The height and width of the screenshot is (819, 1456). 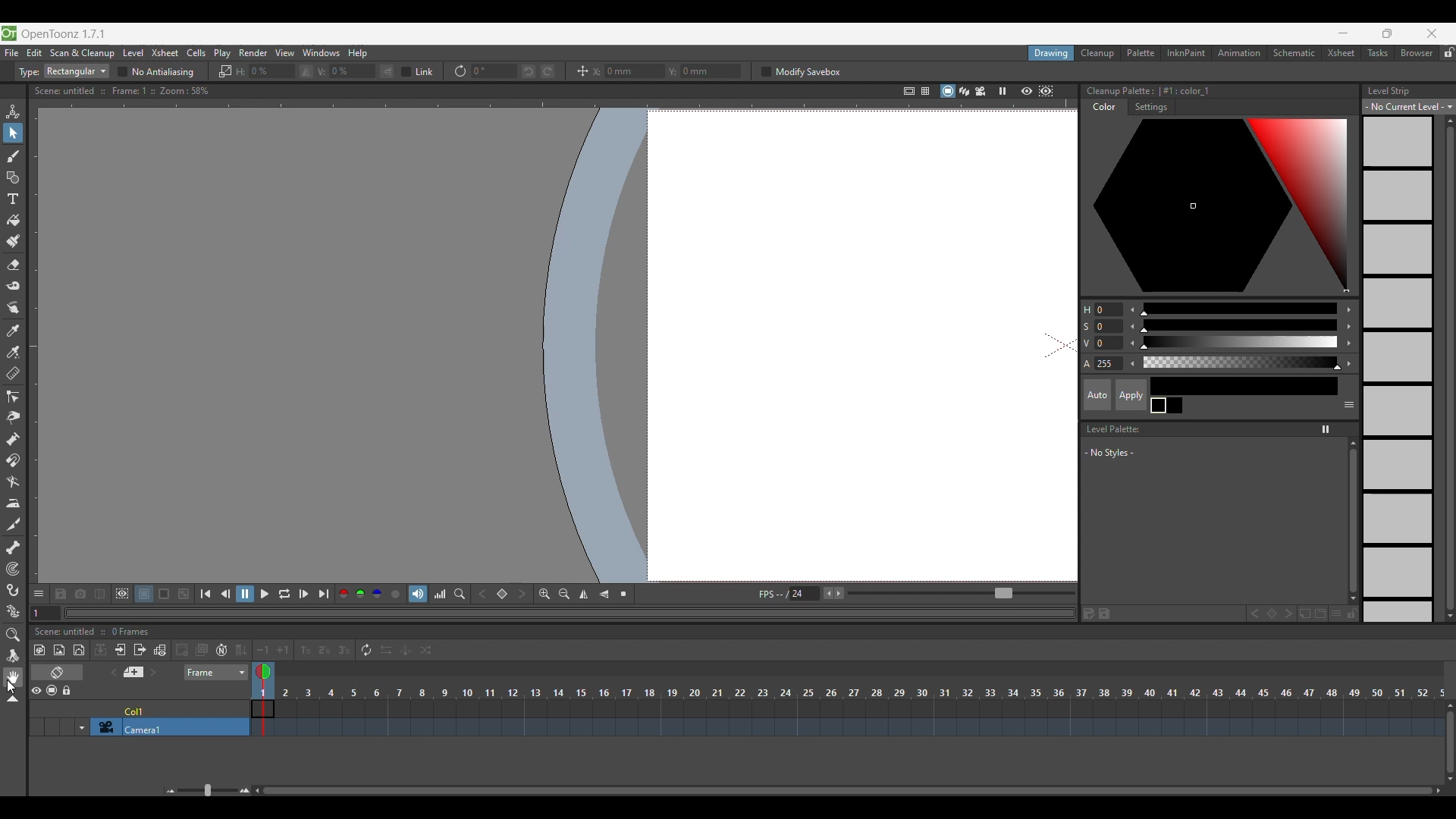 What do you see at coordinates (34, 53) in the screenshot?
I see `Edit` at bounding box center [34, 53].